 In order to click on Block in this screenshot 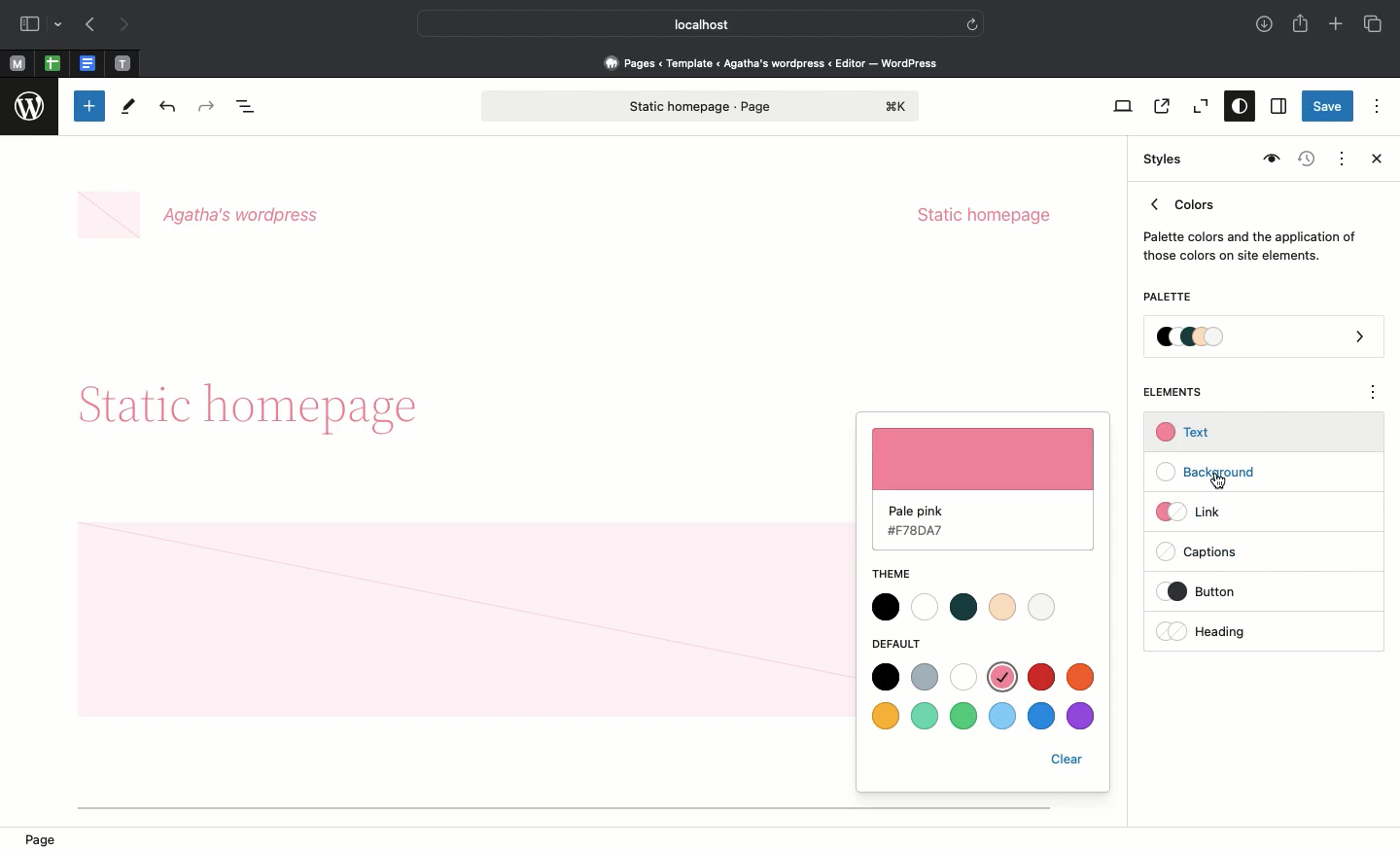, I will do `click(460, 617)`.